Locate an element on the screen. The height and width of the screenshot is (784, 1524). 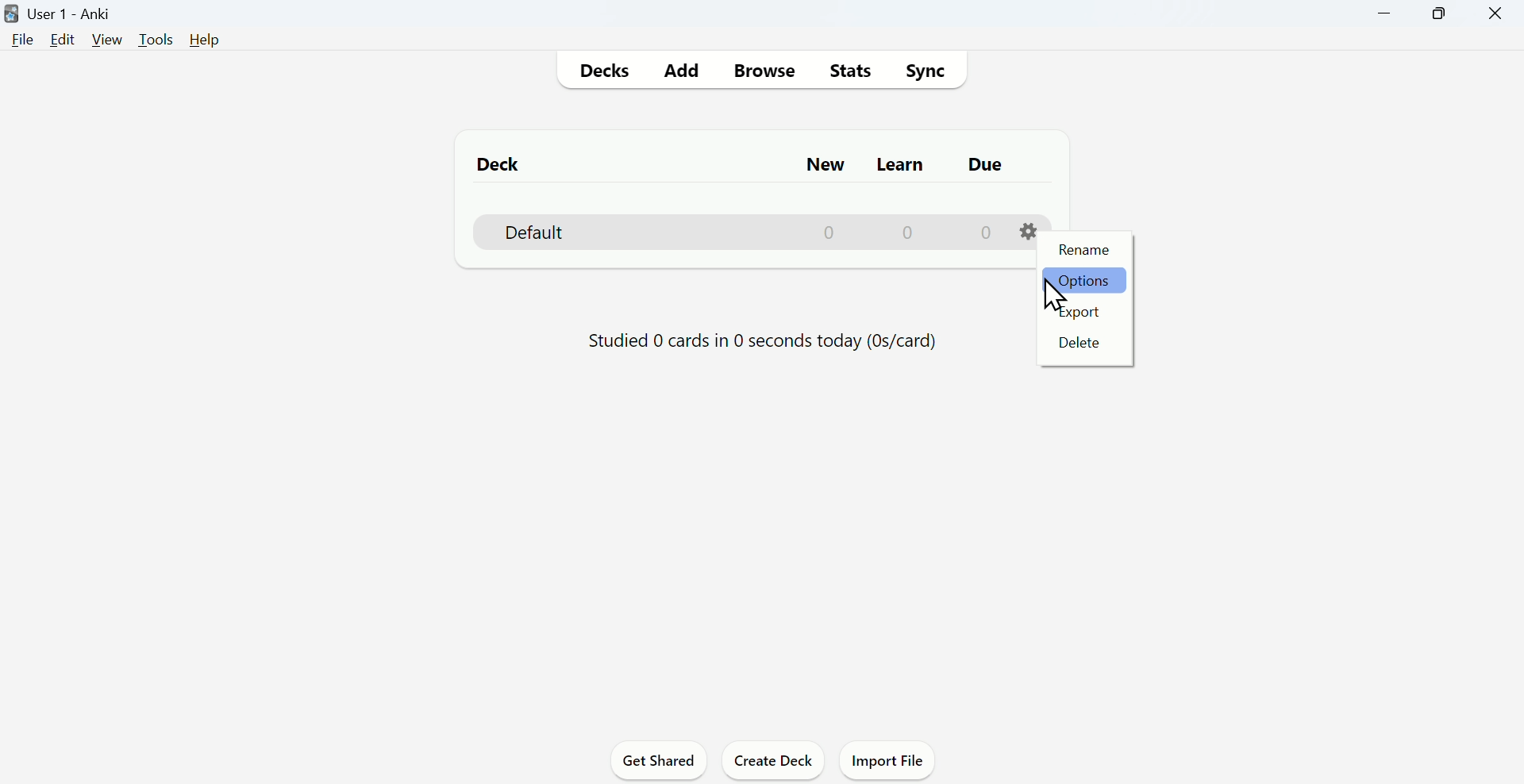
New is located at coordinates (817, 168).